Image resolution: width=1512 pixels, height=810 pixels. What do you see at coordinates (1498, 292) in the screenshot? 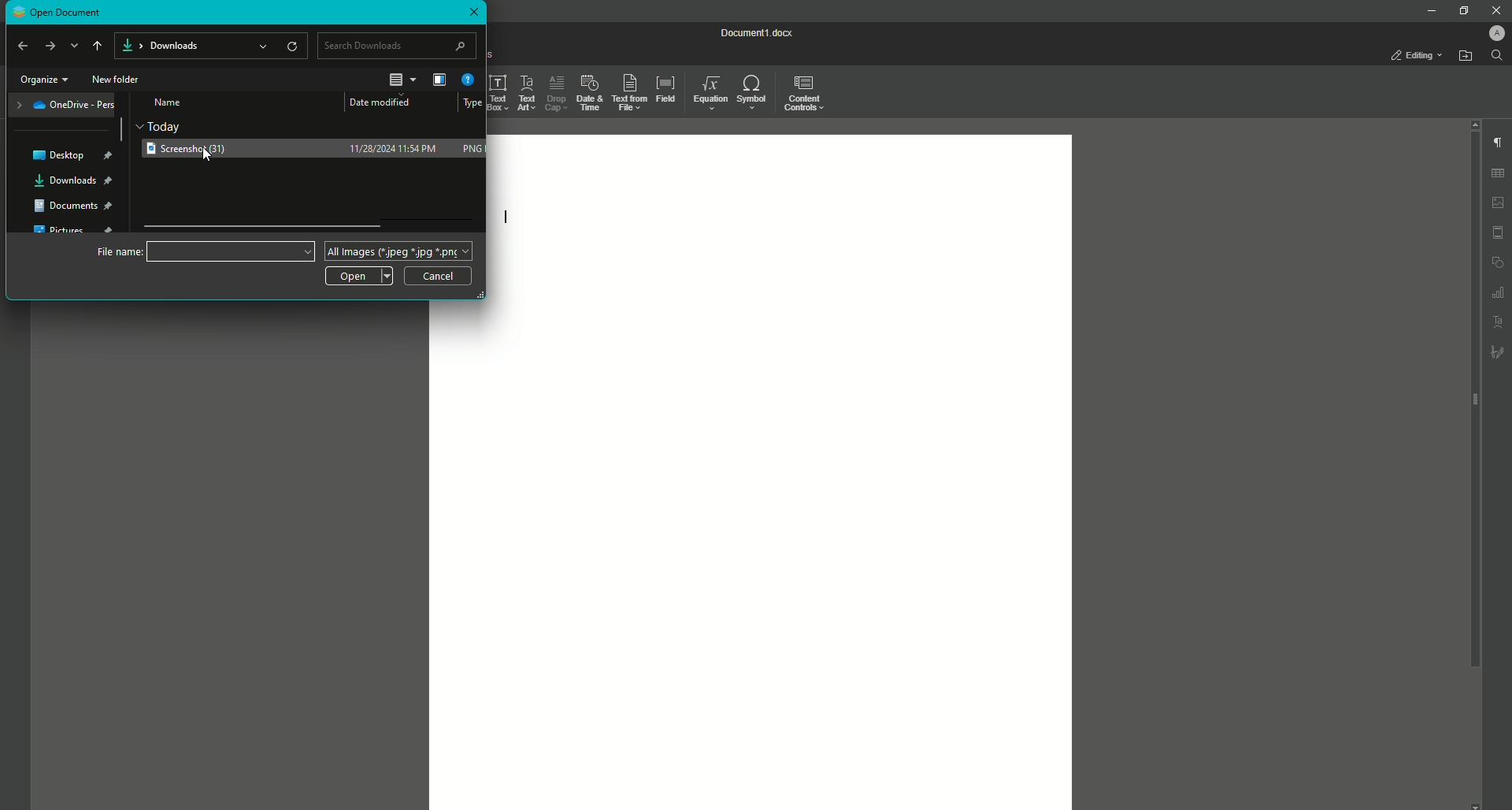
I see `Graph Settings` at bounding box center [1498, 292].